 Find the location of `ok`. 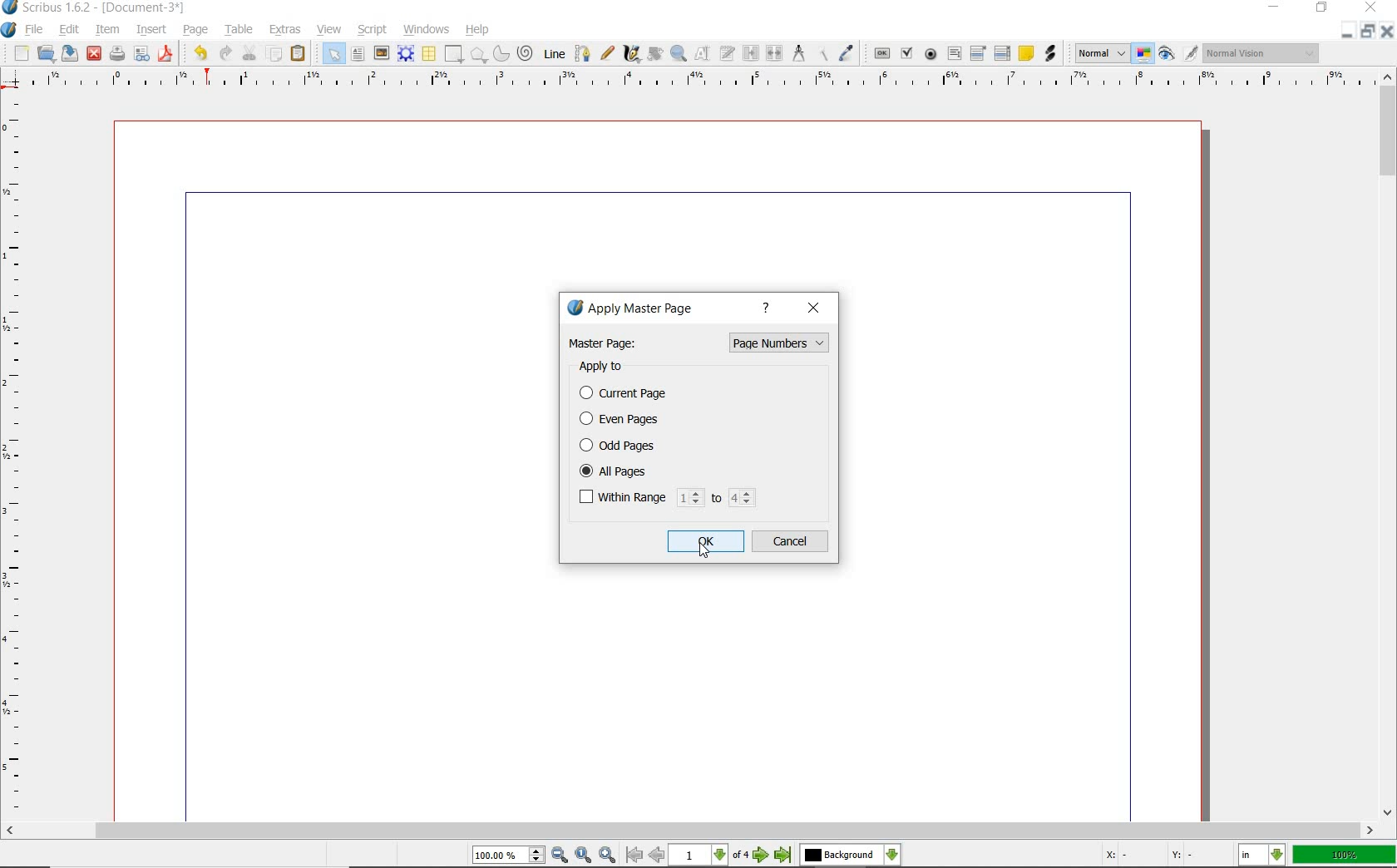

ok is located at coordinates (706, 540).